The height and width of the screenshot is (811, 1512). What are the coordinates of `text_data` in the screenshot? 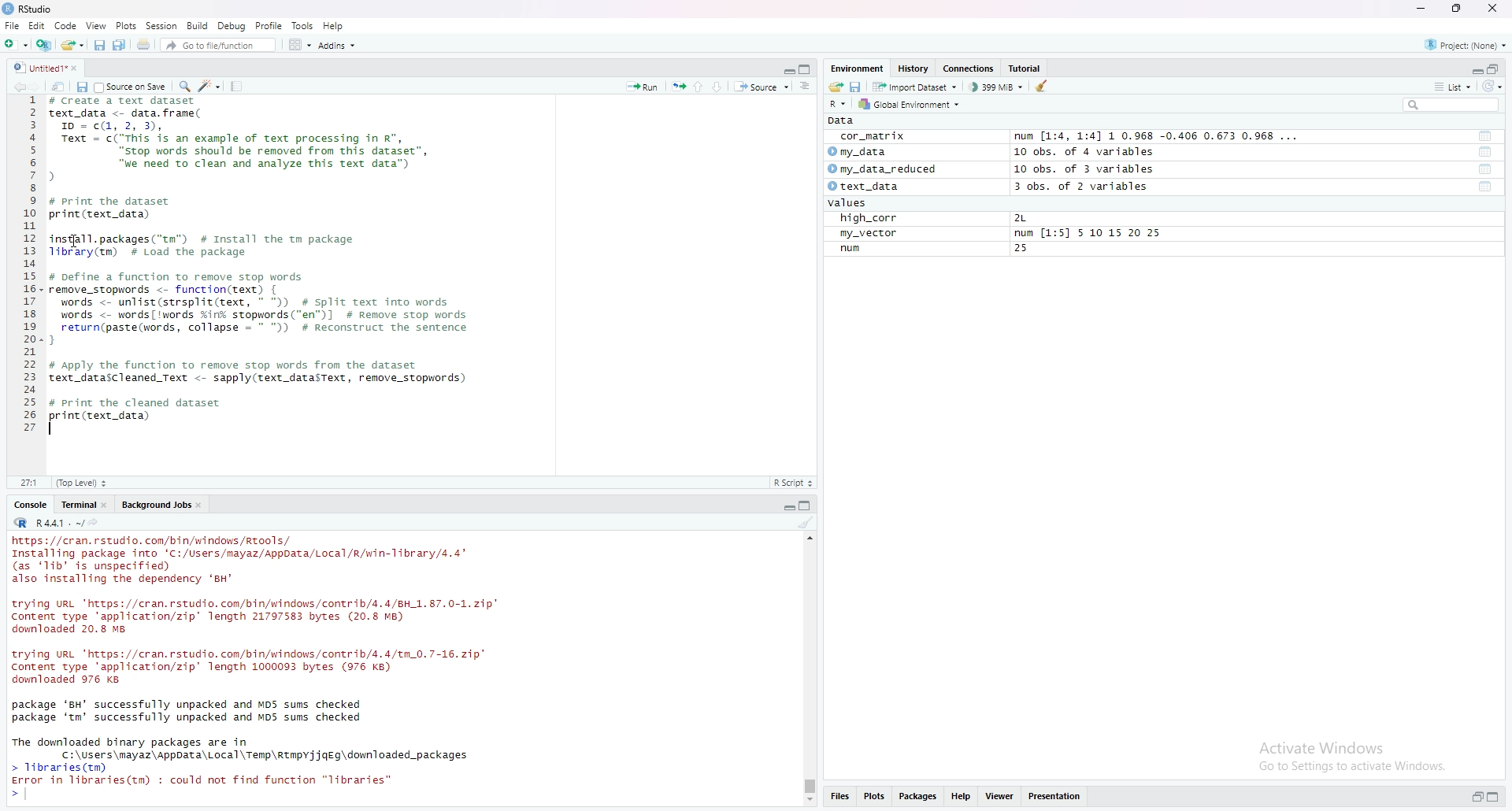 It's located at (861, 187).